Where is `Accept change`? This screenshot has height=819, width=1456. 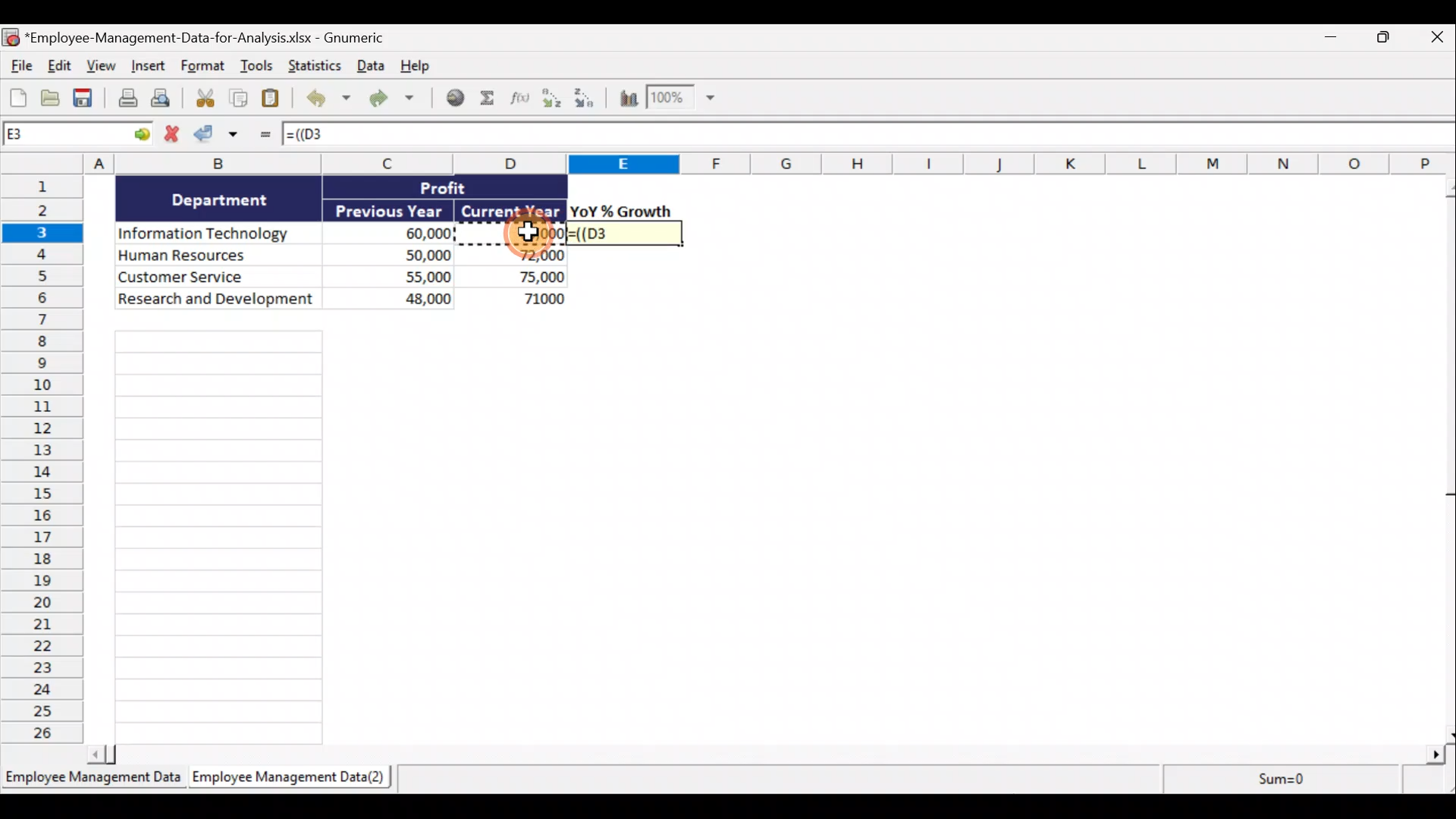
Accept change is located at coordinates (221, 137).